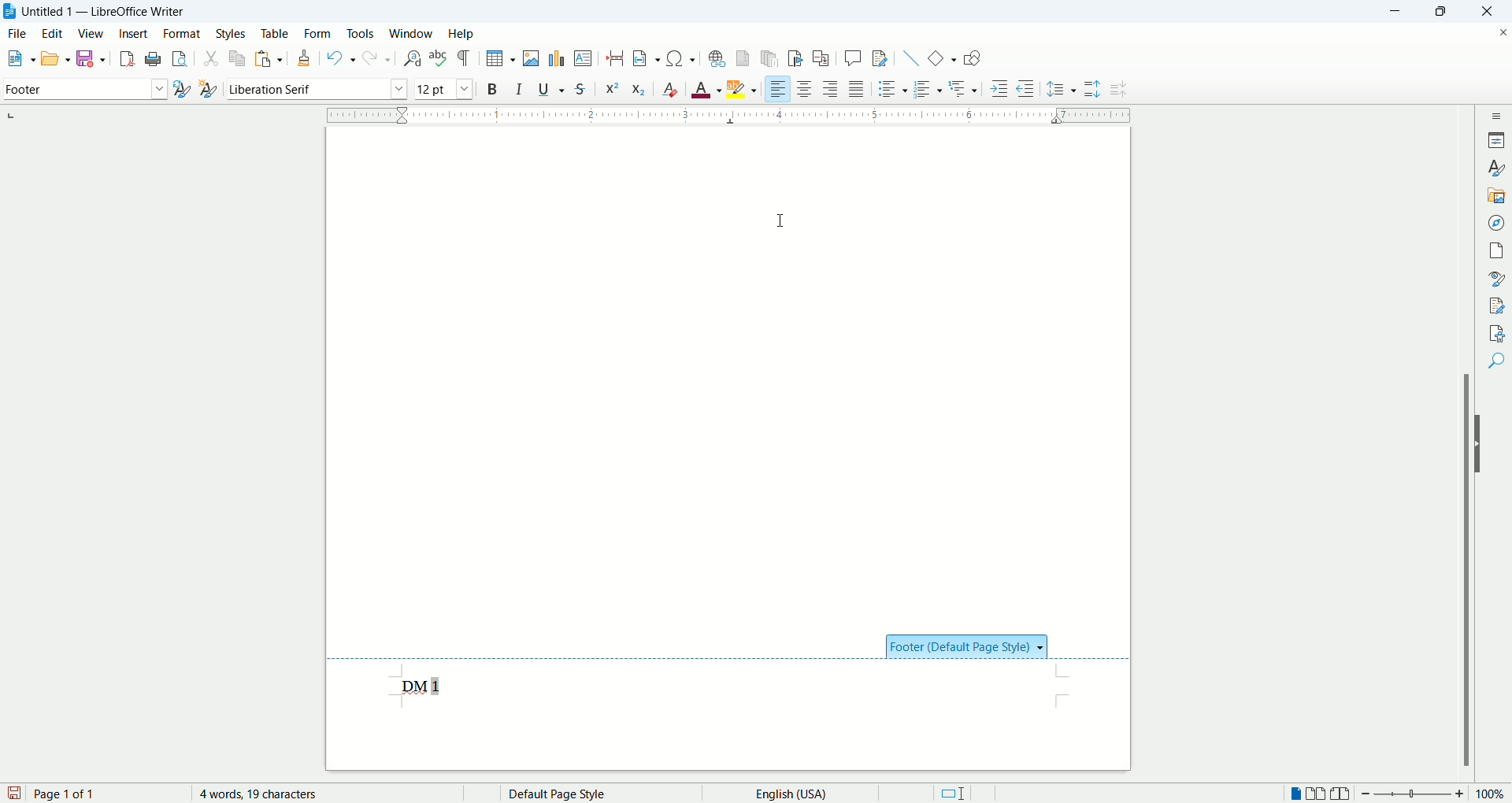 The image size is (1512, 803). What do you see at coordinates (743, 90) in the screenshot?
I see `text highlighting` at bounding box center [743, 90].